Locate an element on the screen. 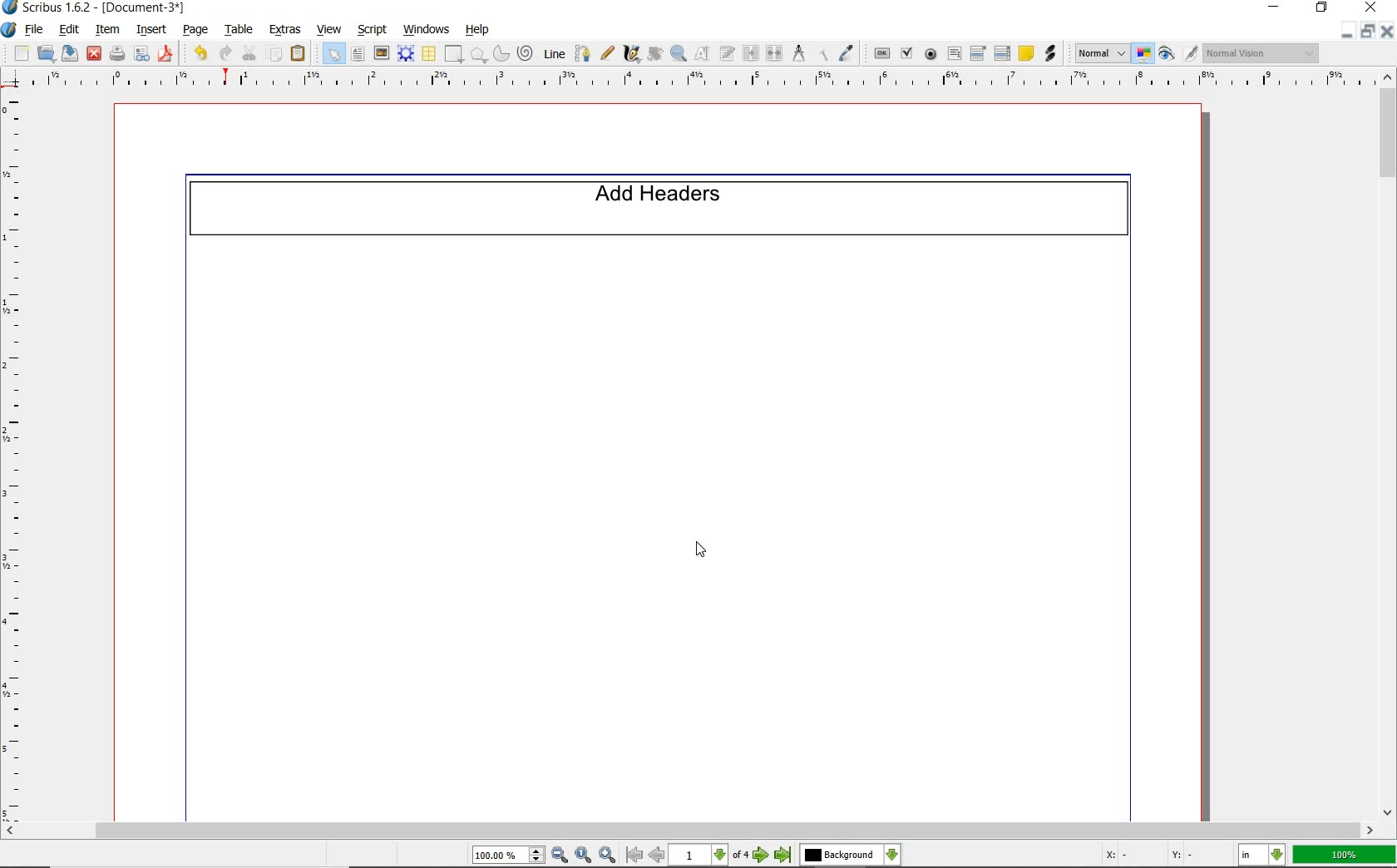  system logo is located at coordinates (9, 31).